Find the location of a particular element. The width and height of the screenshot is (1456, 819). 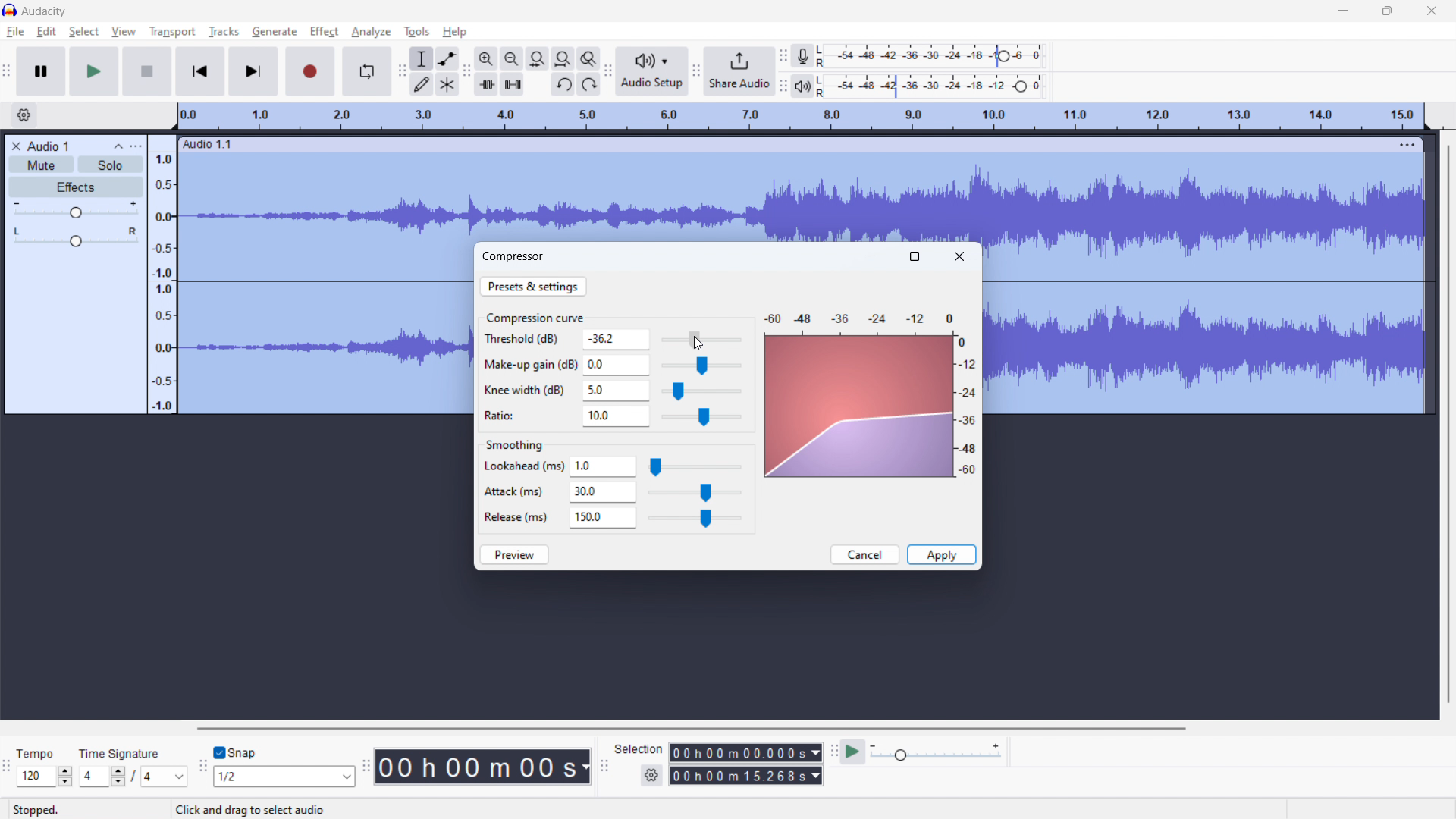

00 h 00 m 00 s is located at coordinates (482, 763).